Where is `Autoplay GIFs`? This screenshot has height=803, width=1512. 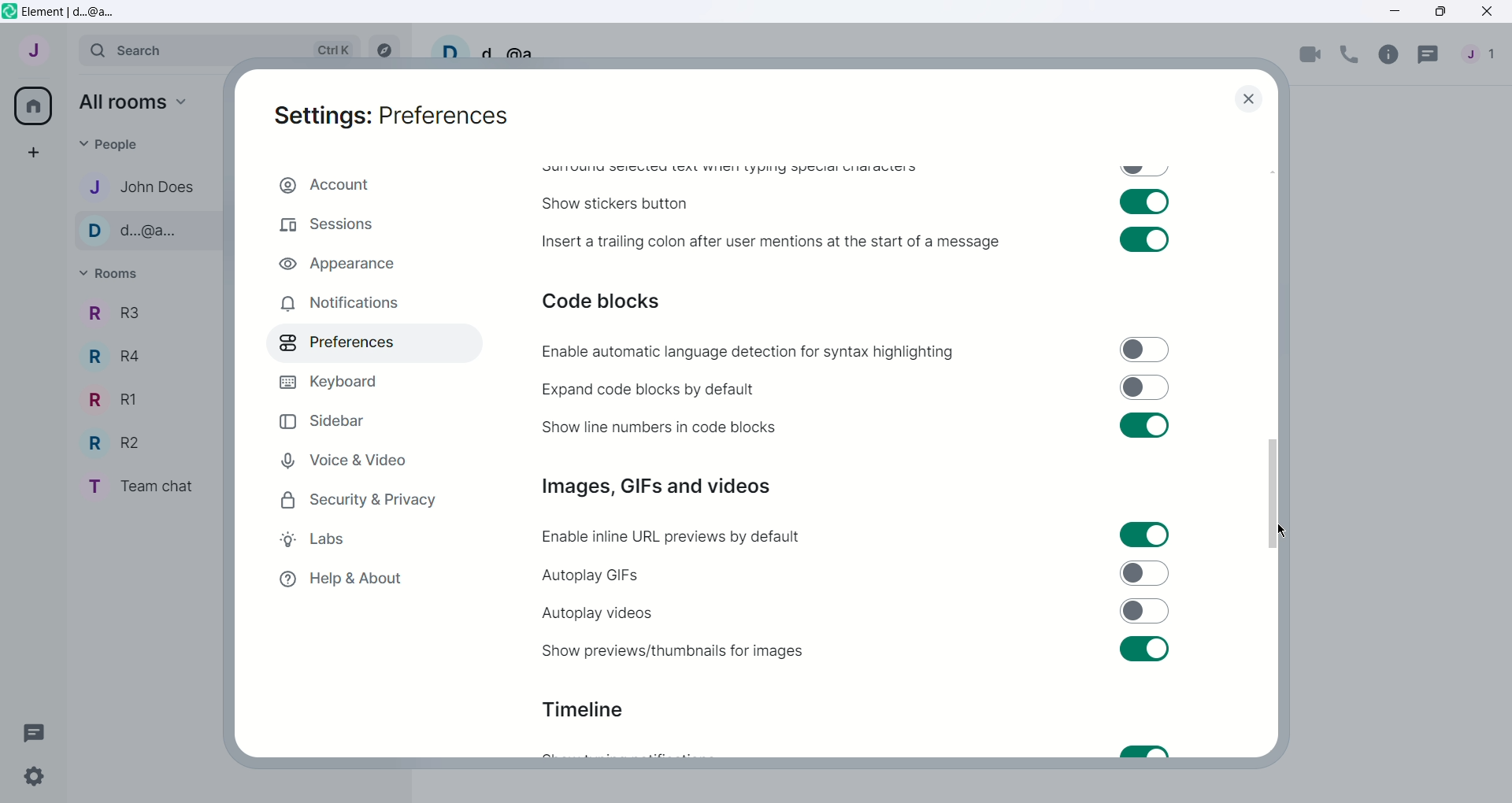
Autoplay GIFs is located at coordinates (591, 575).